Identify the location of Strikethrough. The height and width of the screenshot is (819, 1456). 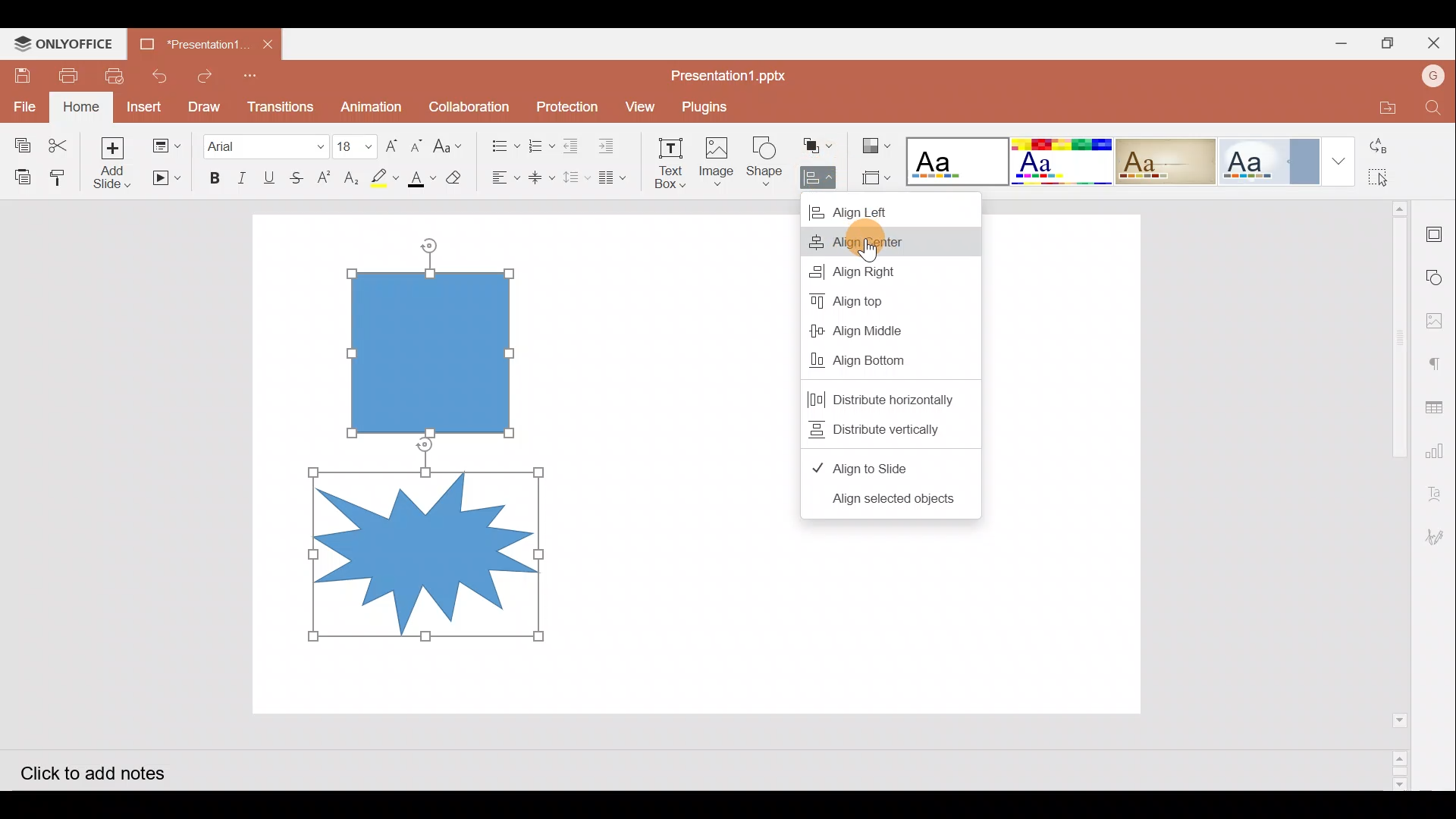
(300, 175).